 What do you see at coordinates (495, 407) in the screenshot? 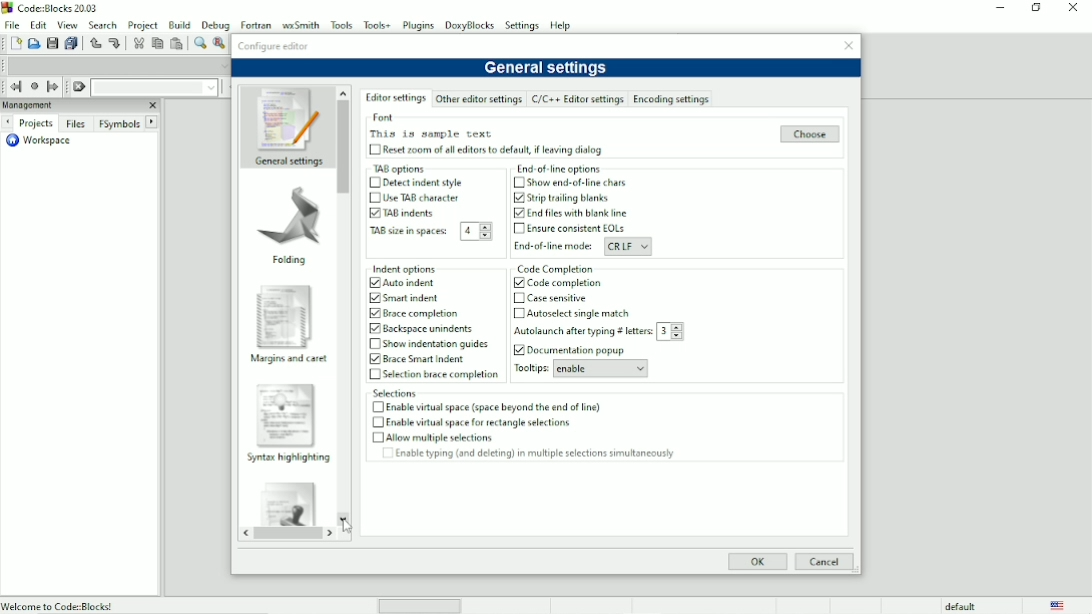
I see `Enable virtual space (space beyond the end of line)` at bounding box center [495, 407].